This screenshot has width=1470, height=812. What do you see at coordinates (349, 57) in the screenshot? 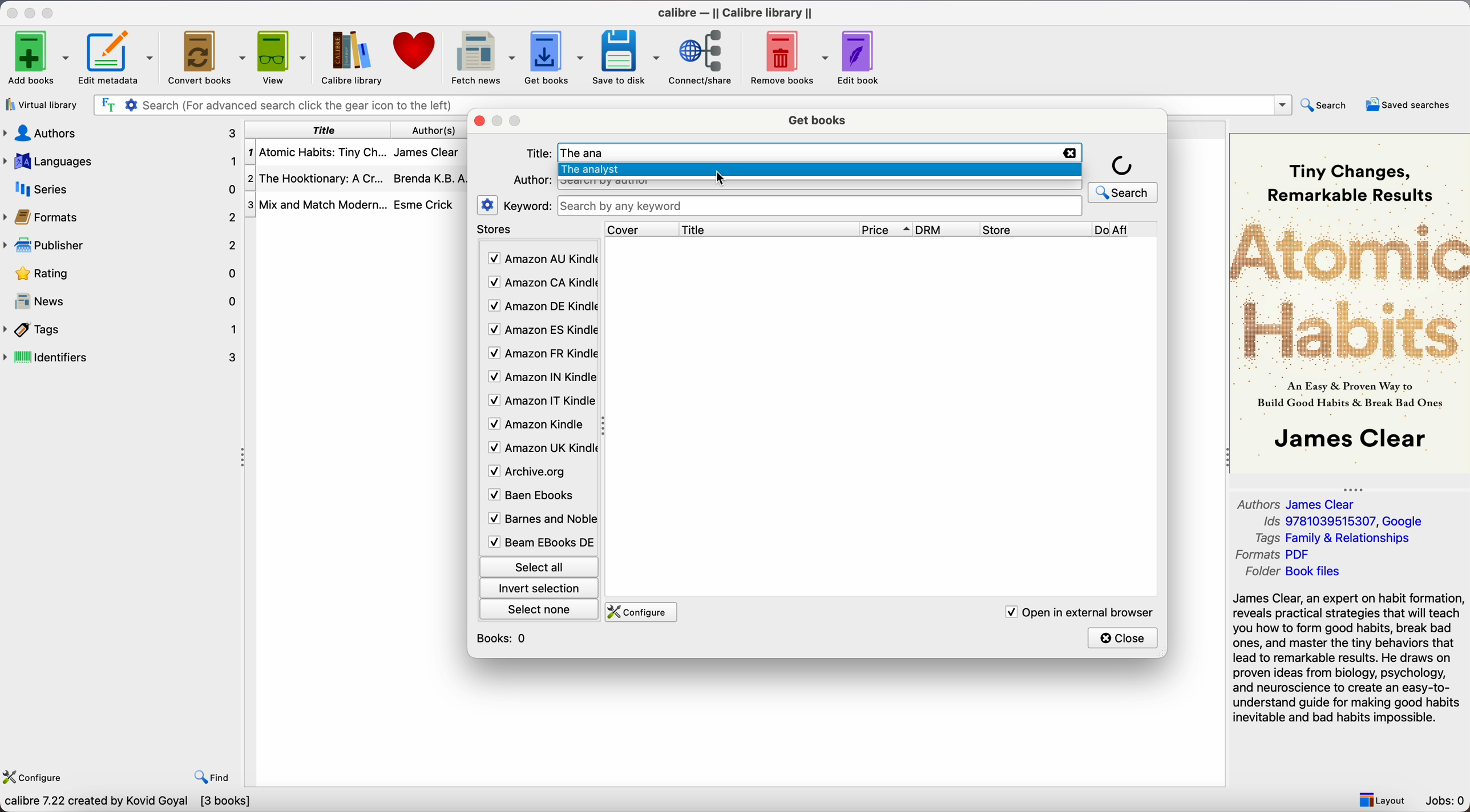
I see `Calibre library` at bounding box center [349, 57].